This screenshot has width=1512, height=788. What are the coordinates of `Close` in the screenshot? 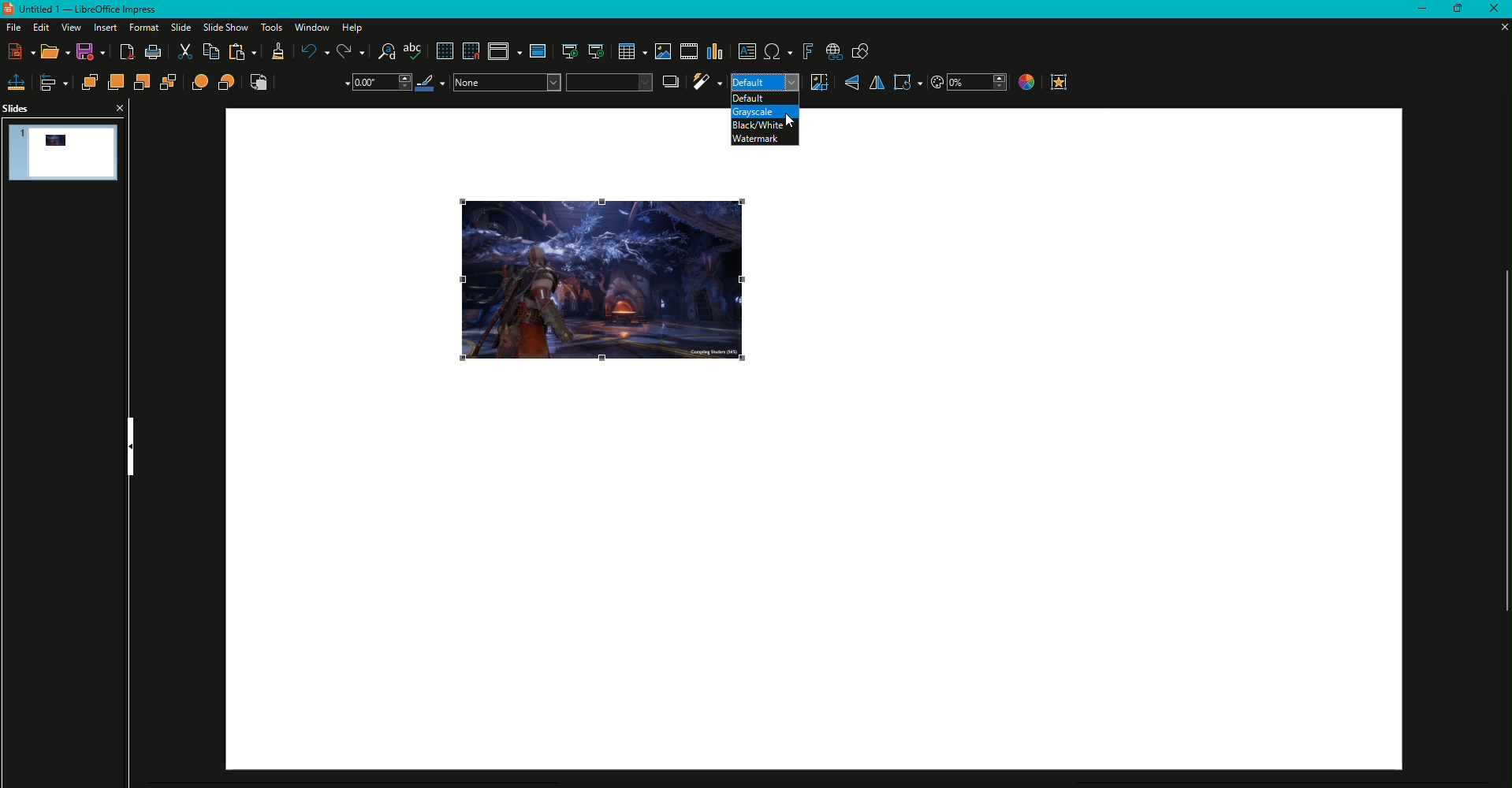 It's located at (1492, 9).